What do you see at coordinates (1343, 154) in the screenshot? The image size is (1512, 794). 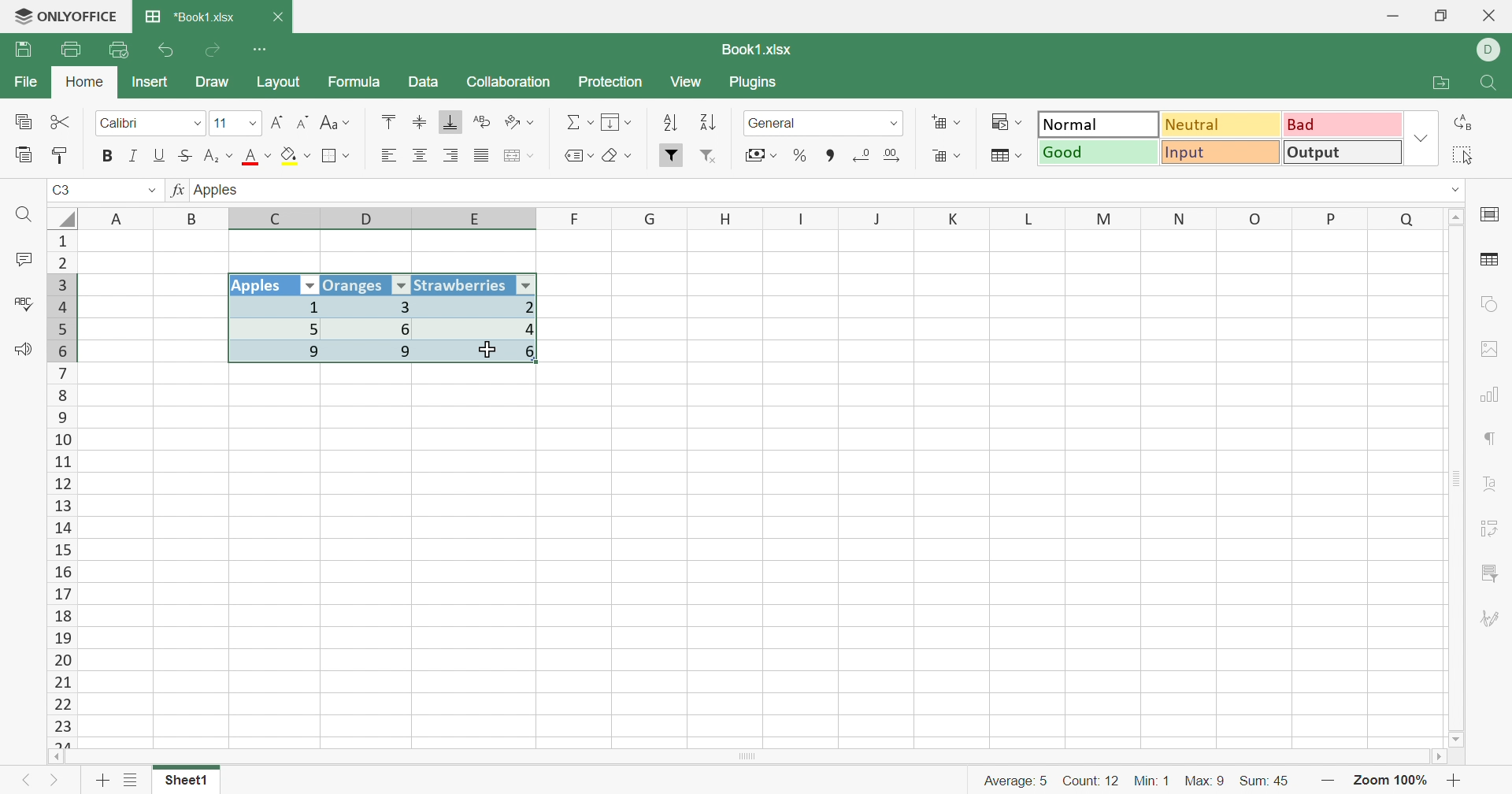 I see `Output` at bounding box center [1343, 154].